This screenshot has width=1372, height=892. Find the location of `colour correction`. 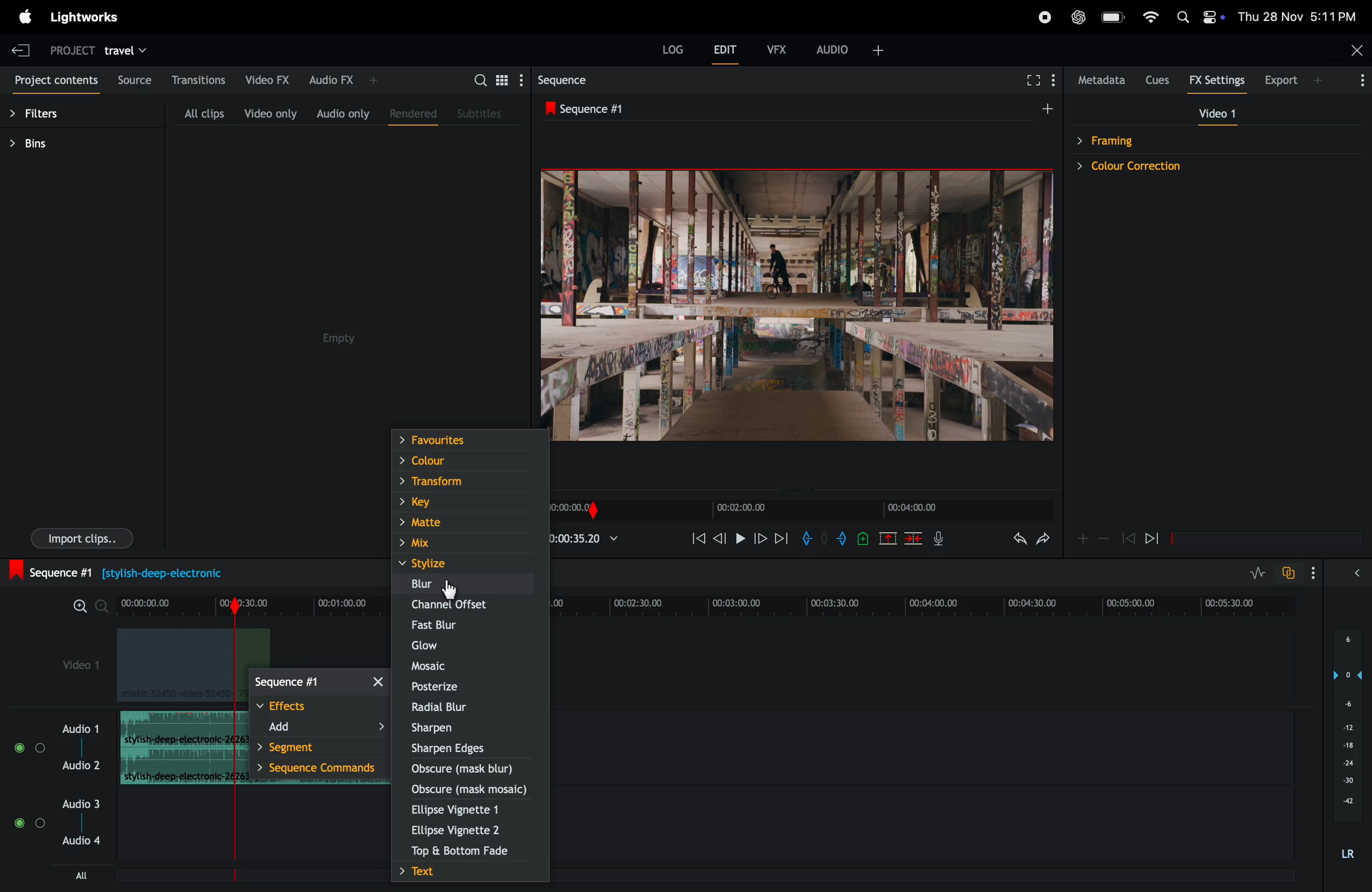

colour correction is located at coordinates (1156, 167).